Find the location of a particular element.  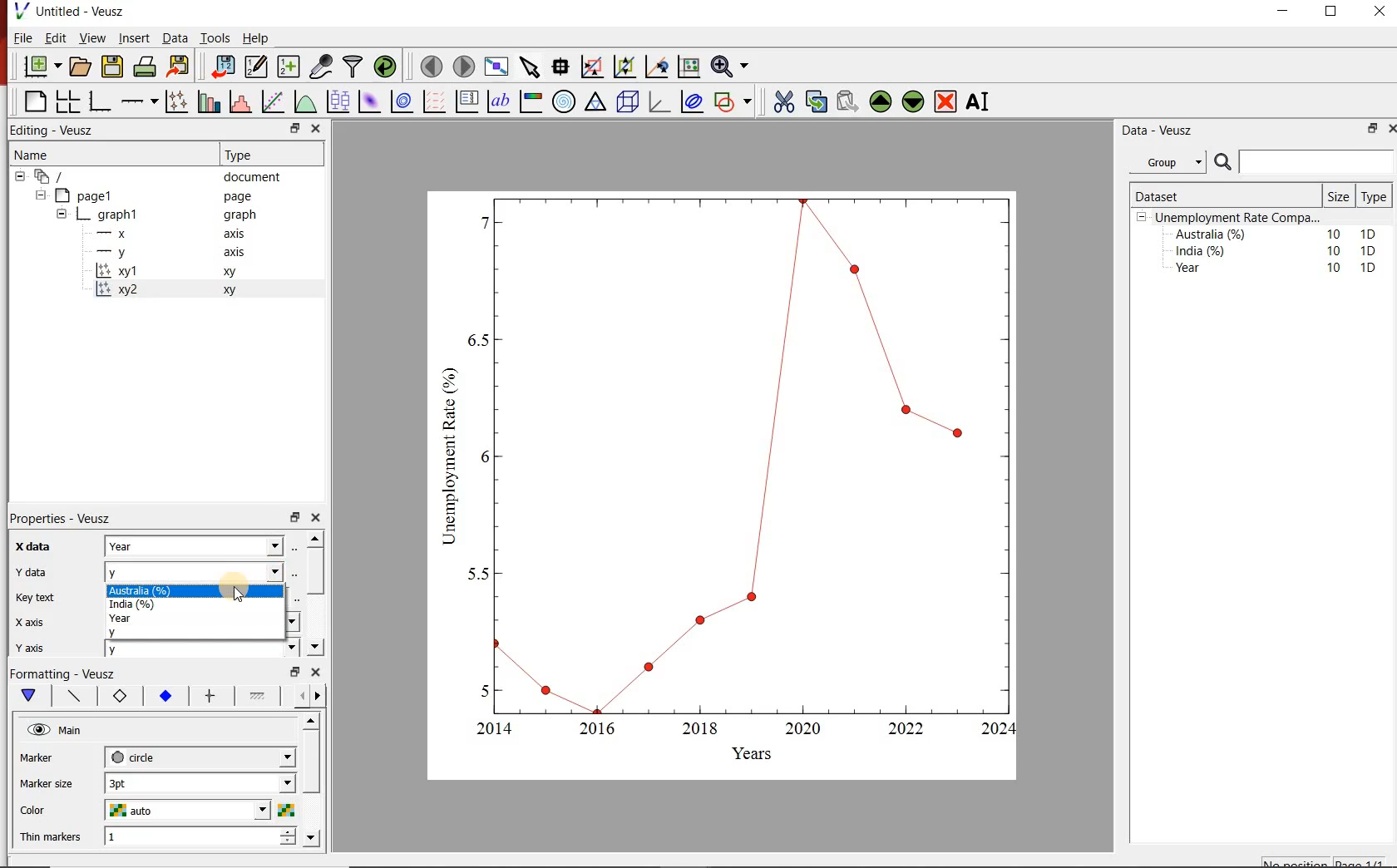

click to zoom out graph axes is located at coordinates (625, 65).